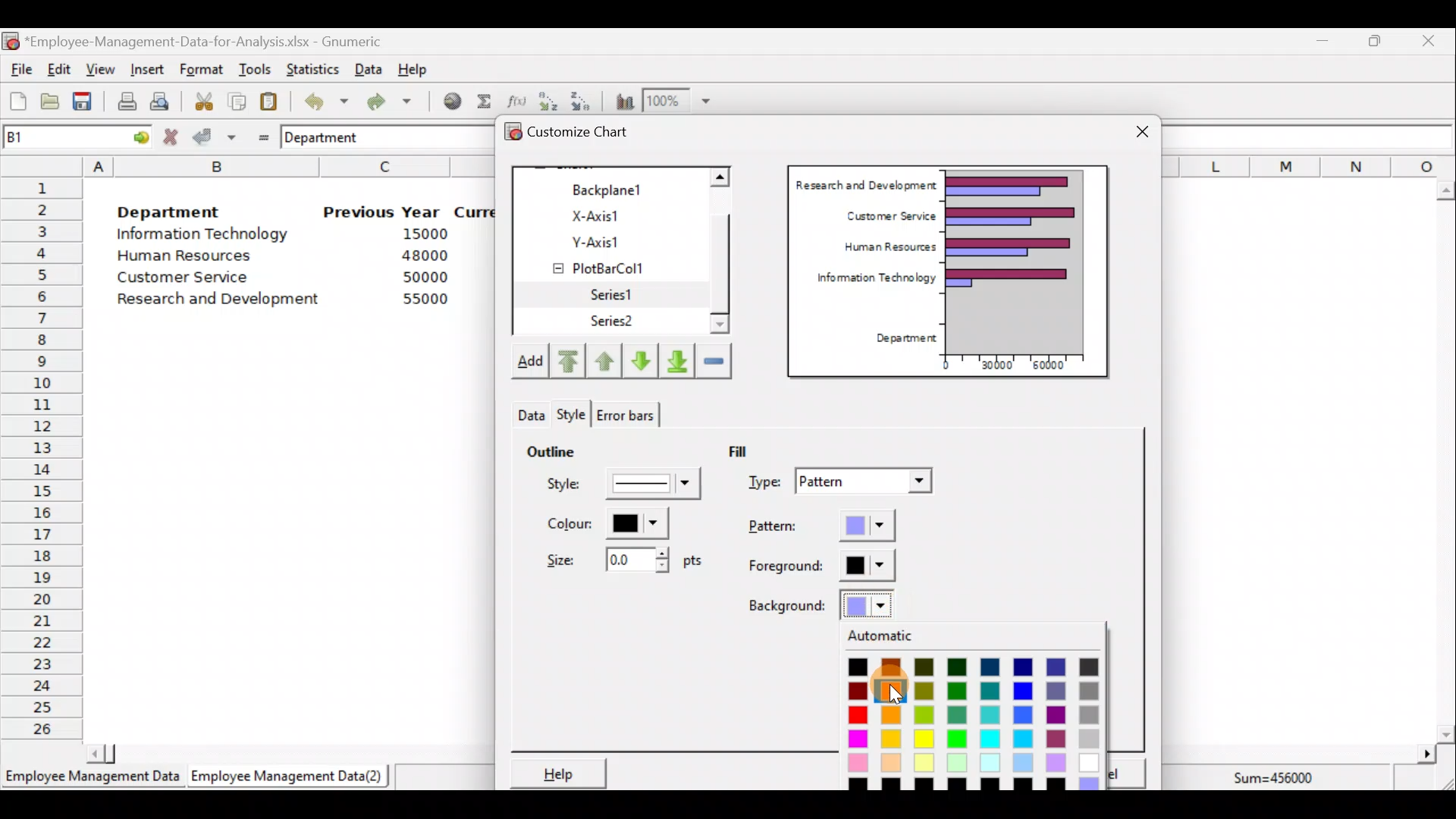 This screenshot has width=1456, height=819. I want to click on Outline, so click(551, 449).